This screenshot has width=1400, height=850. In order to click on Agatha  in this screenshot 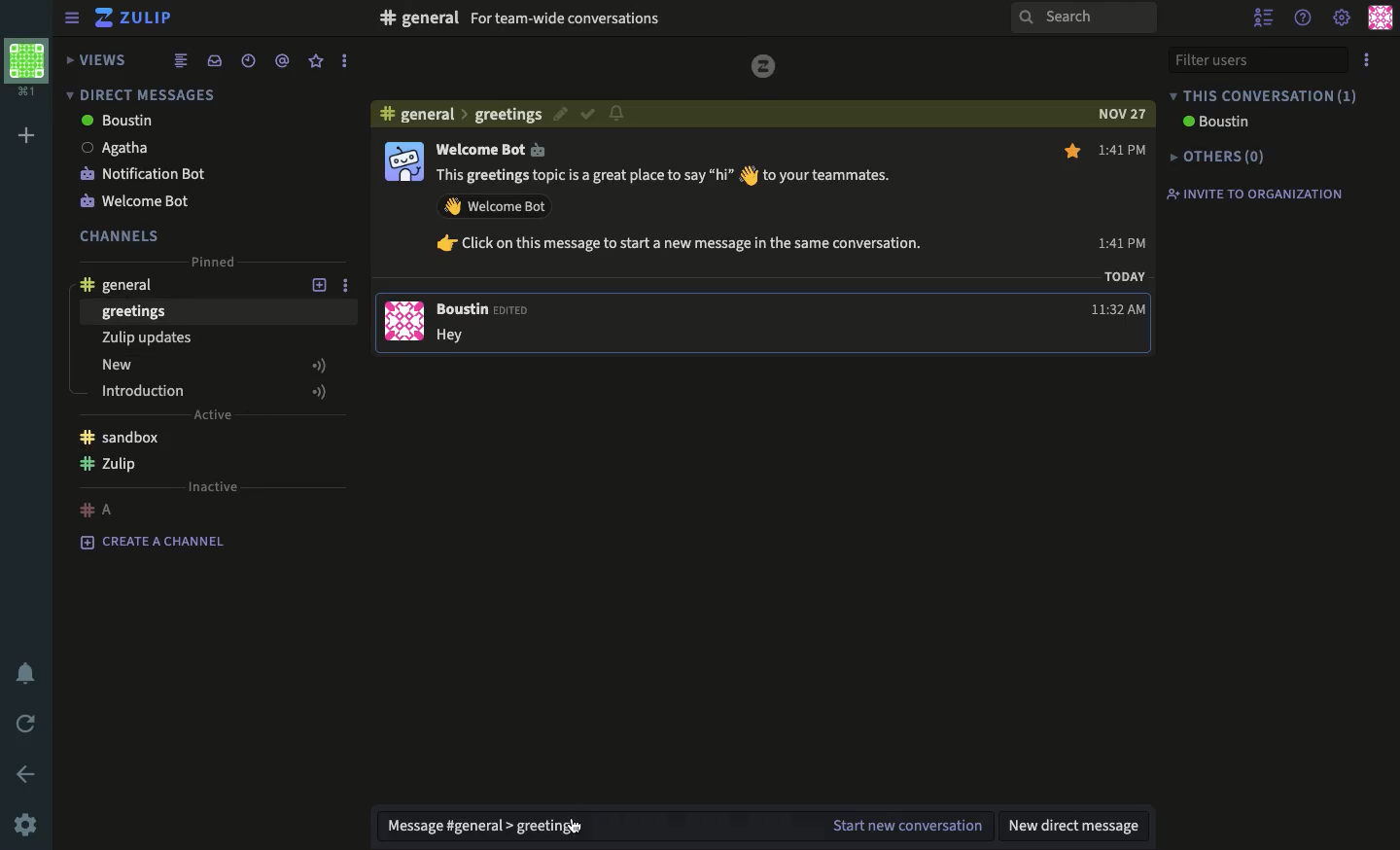, I will do `click(115, 147)`.